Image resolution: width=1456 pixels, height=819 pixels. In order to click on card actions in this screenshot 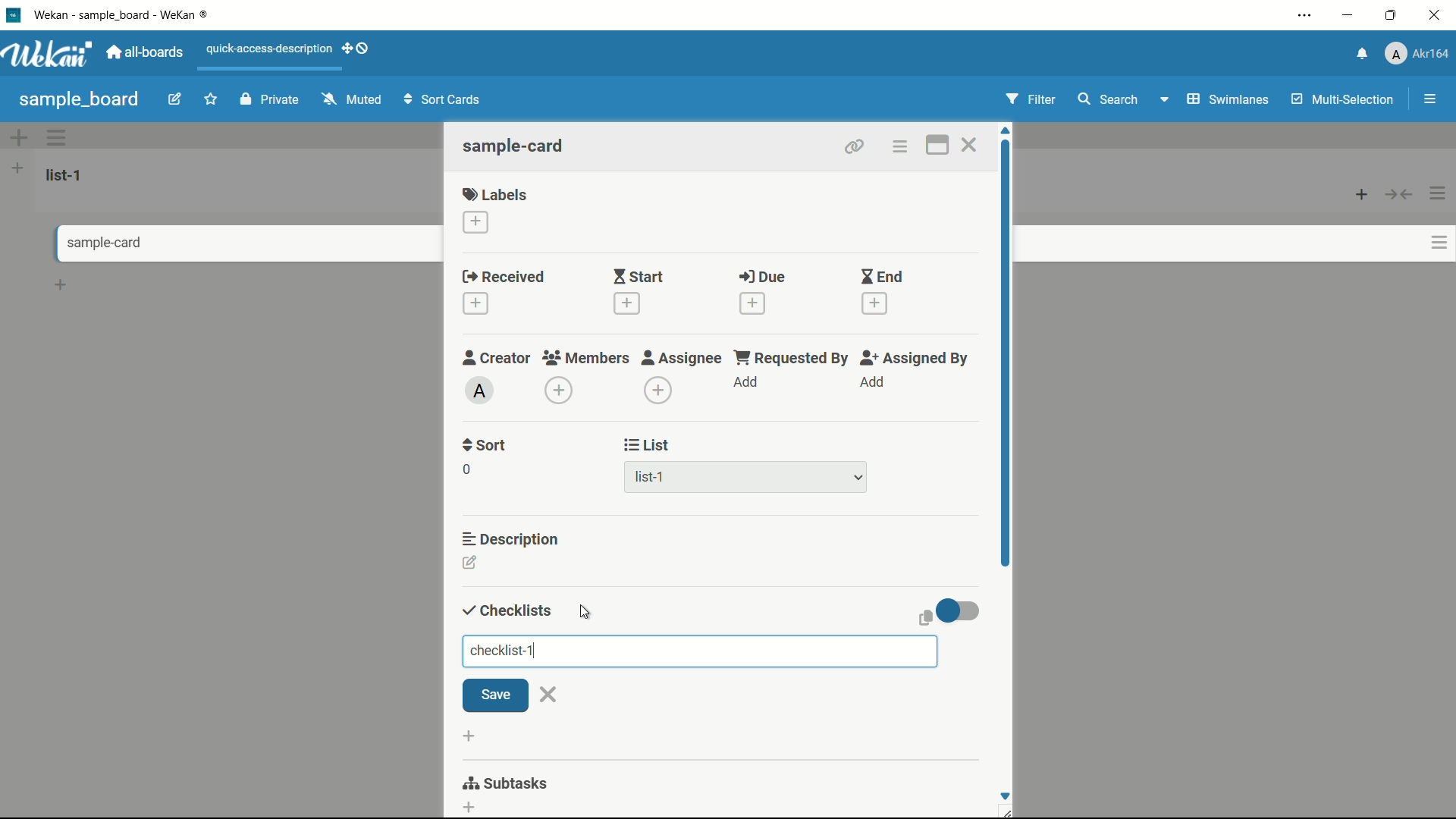, I will do `click(899, 147)`.